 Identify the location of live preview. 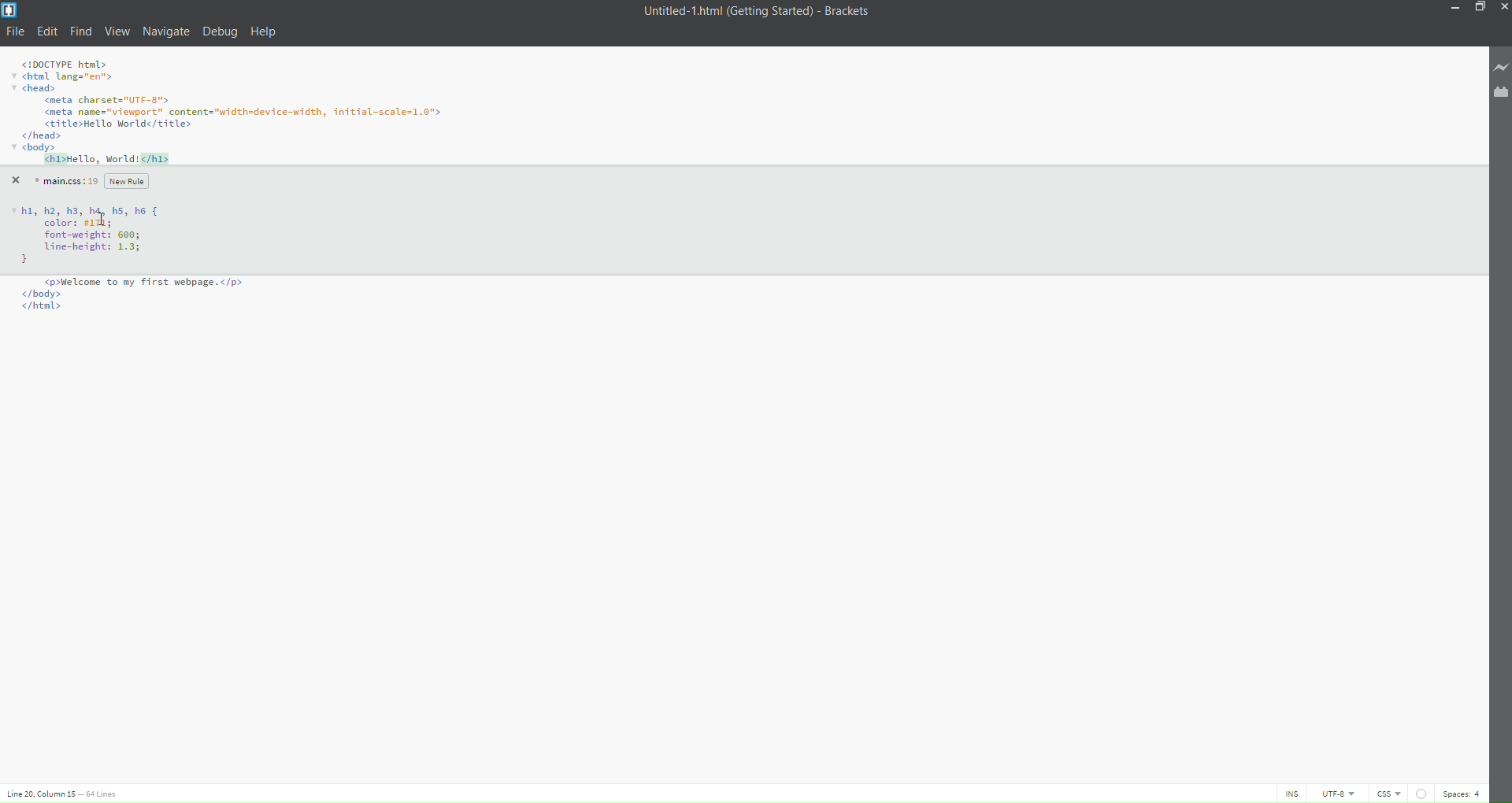
(1497, 68).